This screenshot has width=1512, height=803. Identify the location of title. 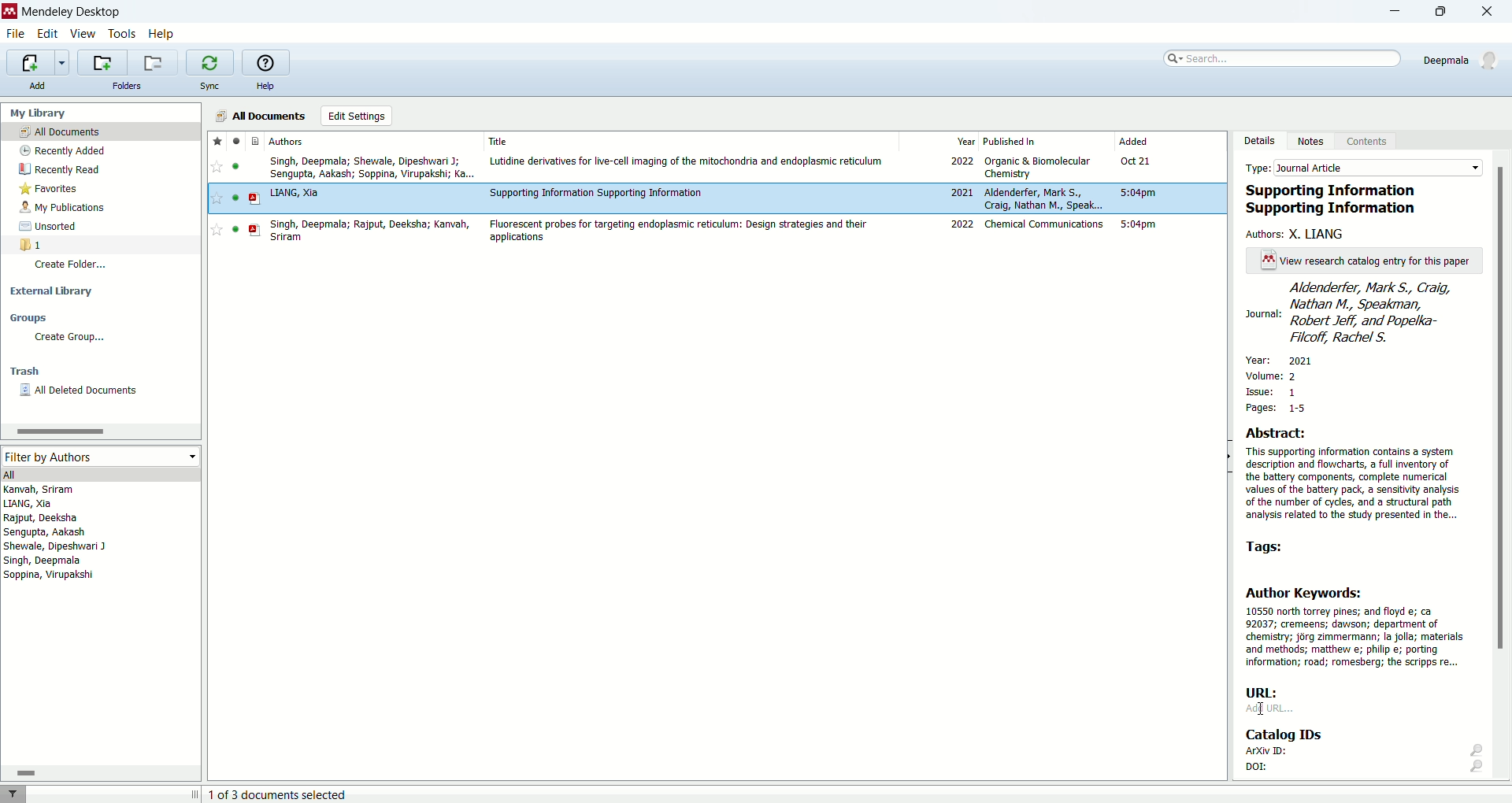
(498, 141).